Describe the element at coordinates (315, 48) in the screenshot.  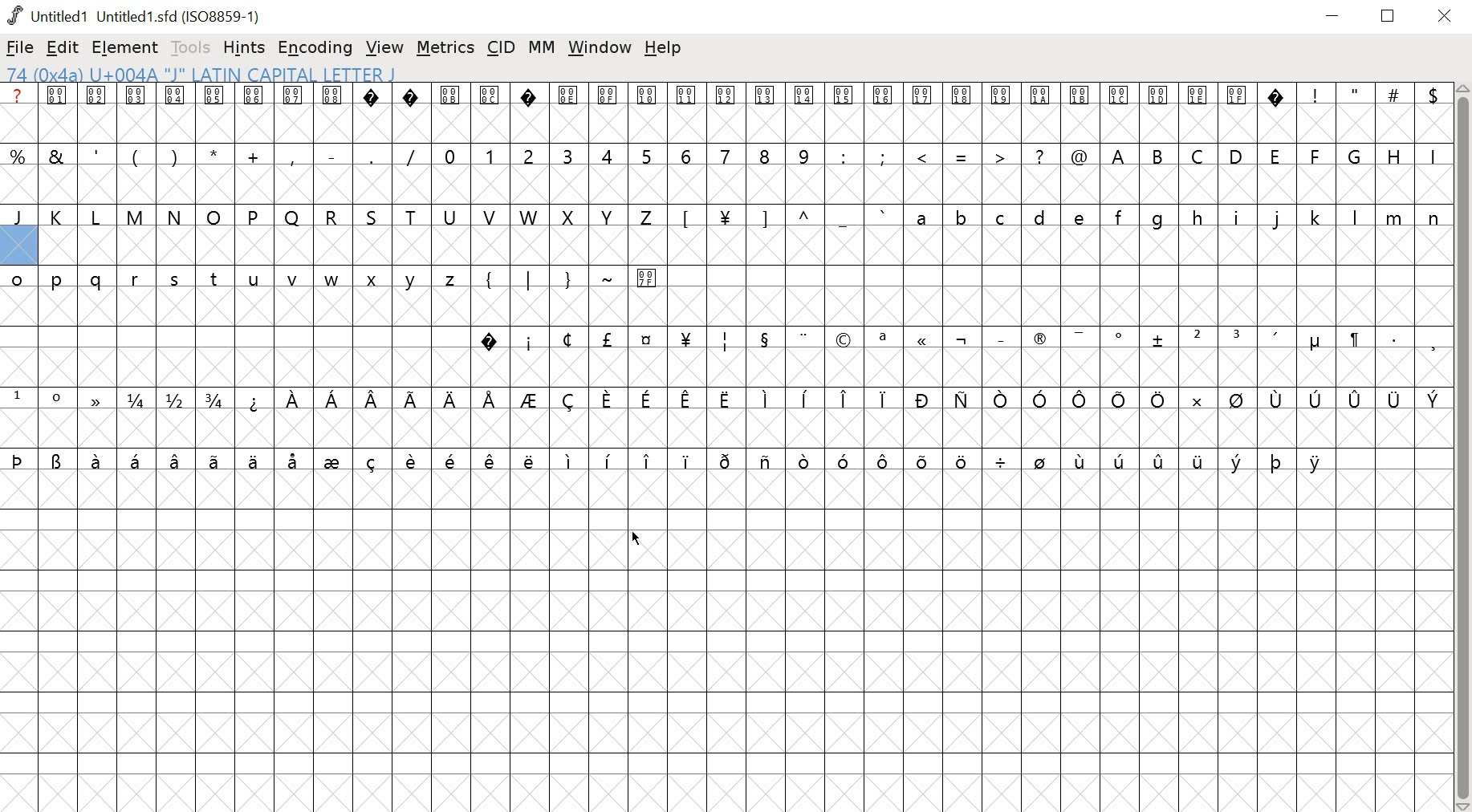
I see `ENCODING` at that location.